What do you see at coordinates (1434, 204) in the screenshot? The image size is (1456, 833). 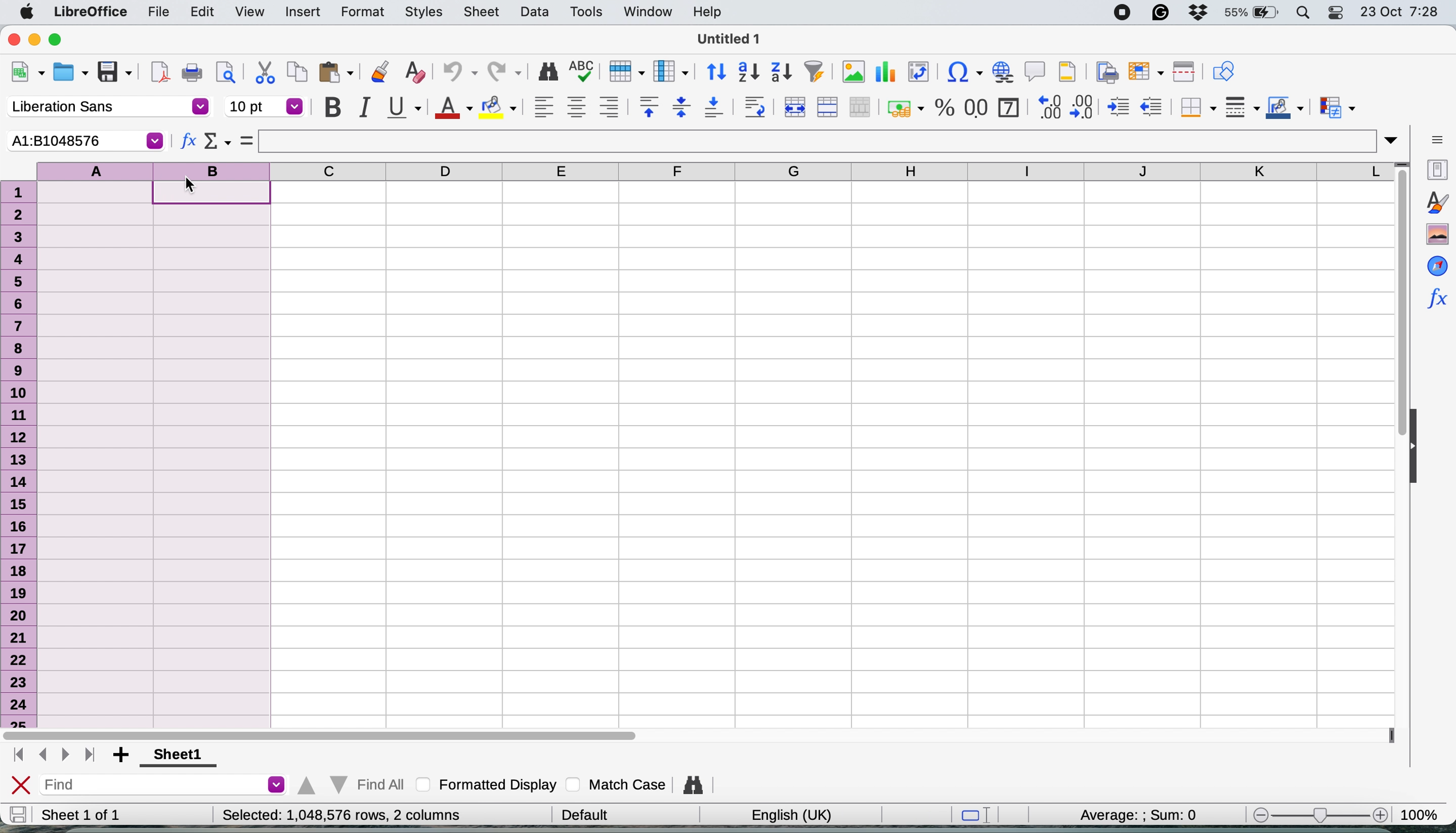 I see `styles` at bounding box center [1434, 204].